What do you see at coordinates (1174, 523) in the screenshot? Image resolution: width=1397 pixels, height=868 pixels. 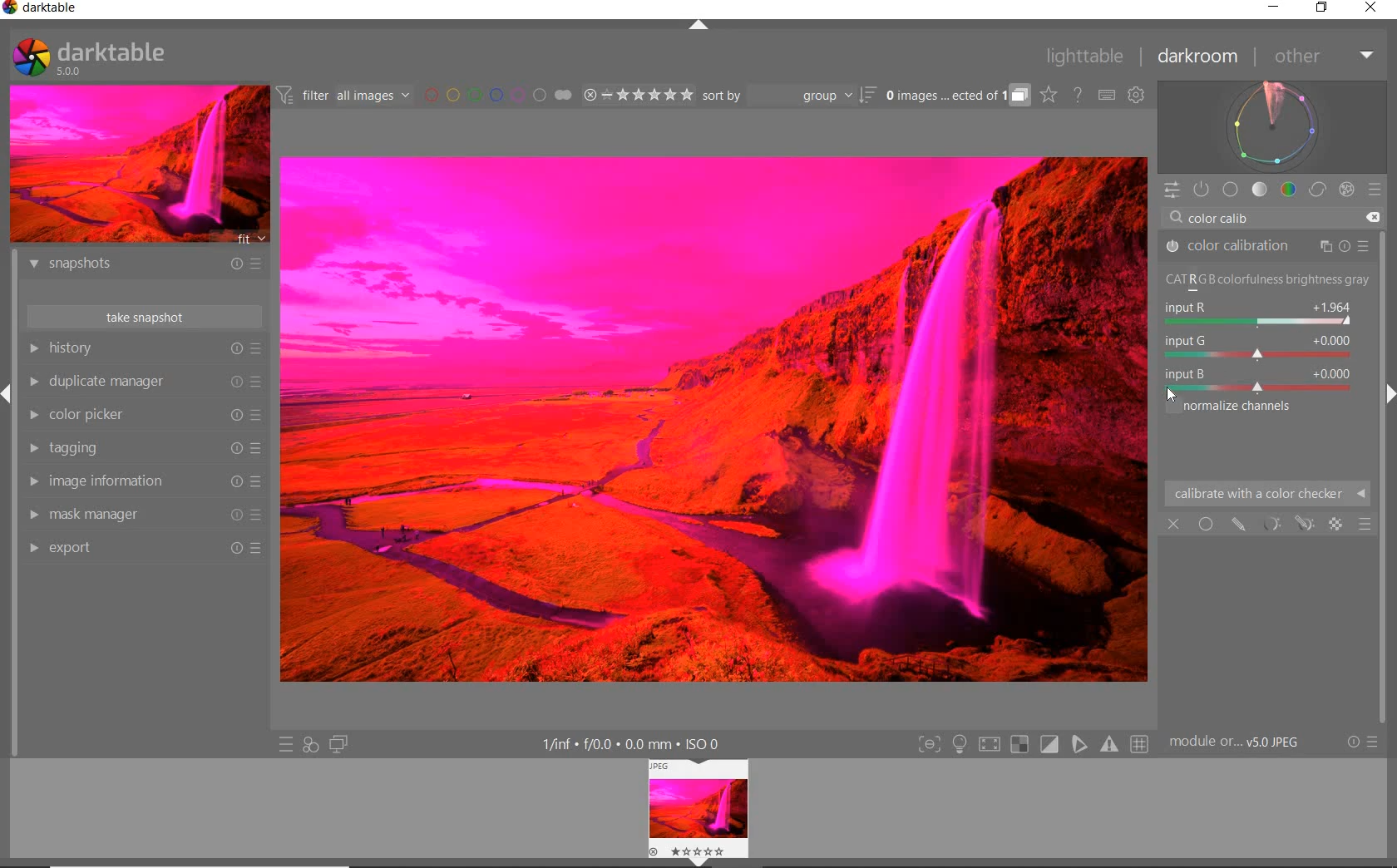 I see `OFF` at bounding box center [1174, 523].